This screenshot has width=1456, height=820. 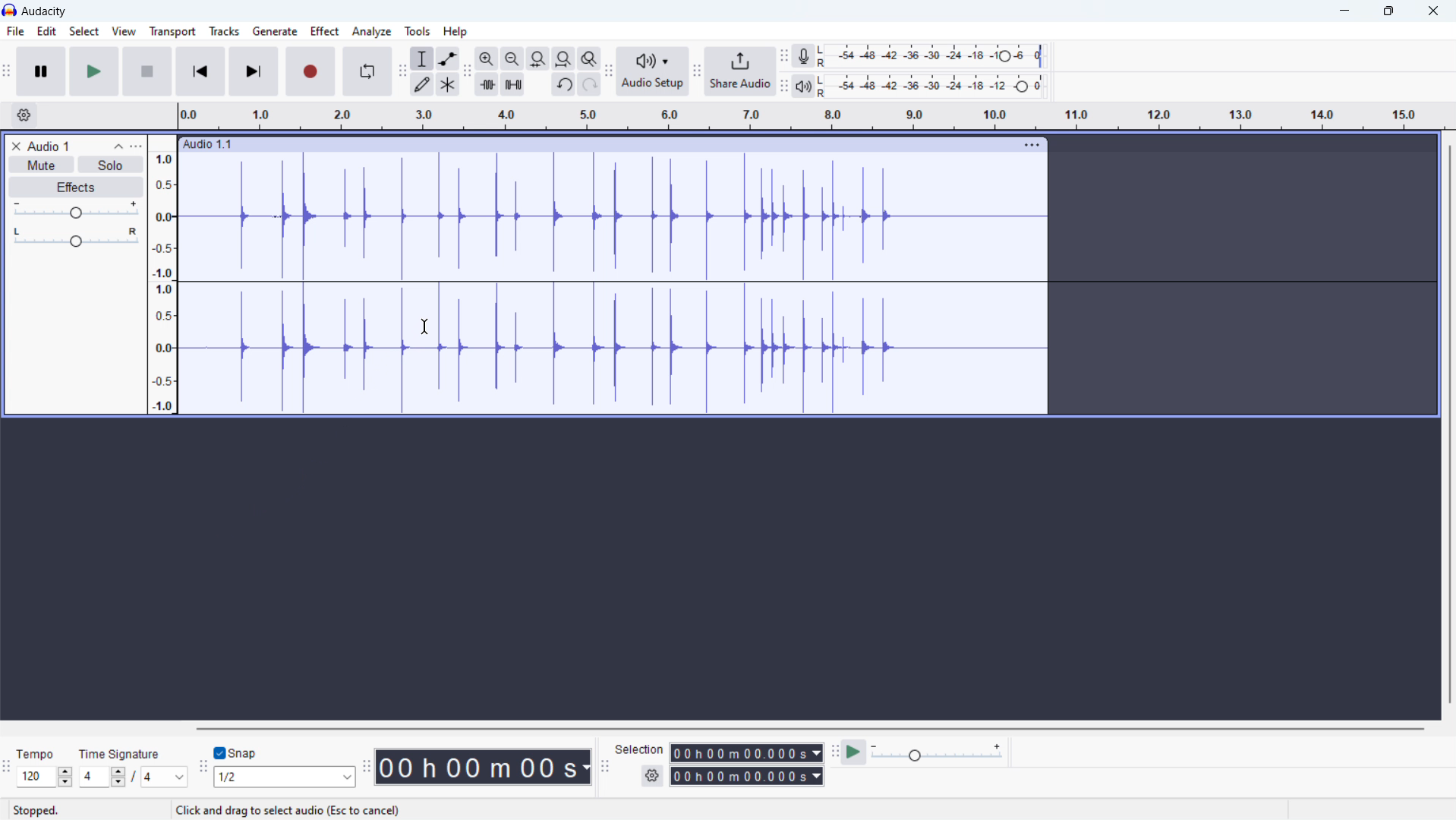 What do you see at coordinates (512, 58) in the screenshot?
I see `zoom out` at bounding box center [512, 58].